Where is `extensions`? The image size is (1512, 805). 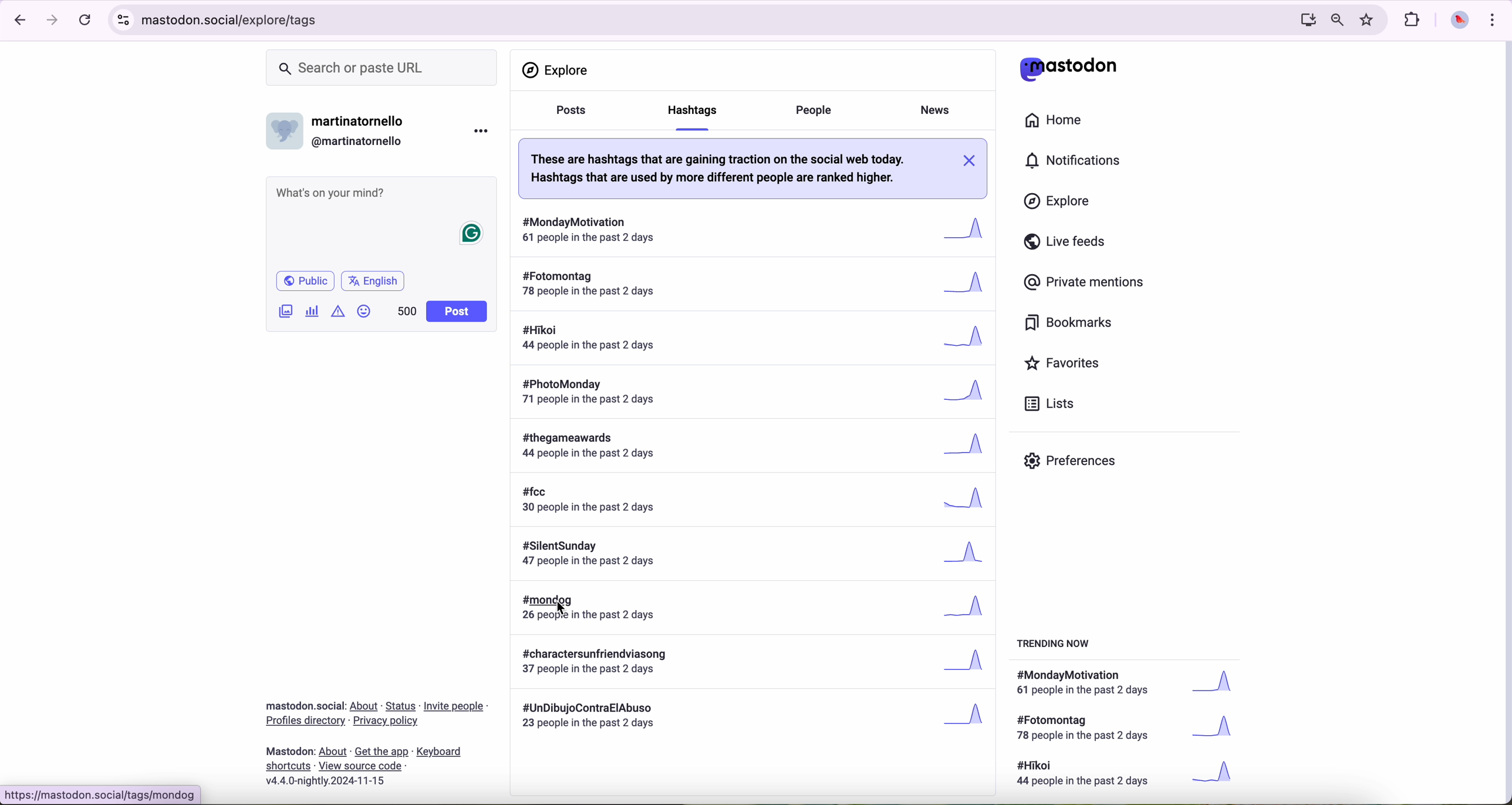
extensions is located at coordinates (1413, 21).